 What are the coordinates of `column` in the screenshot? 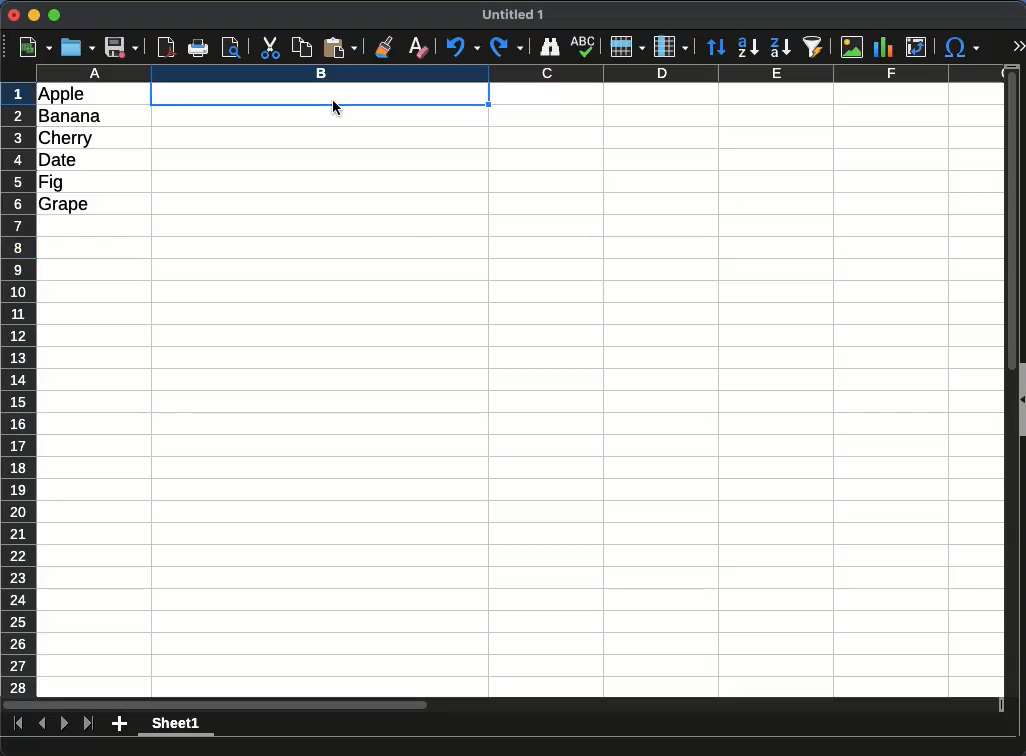 It's located at (521, 73).